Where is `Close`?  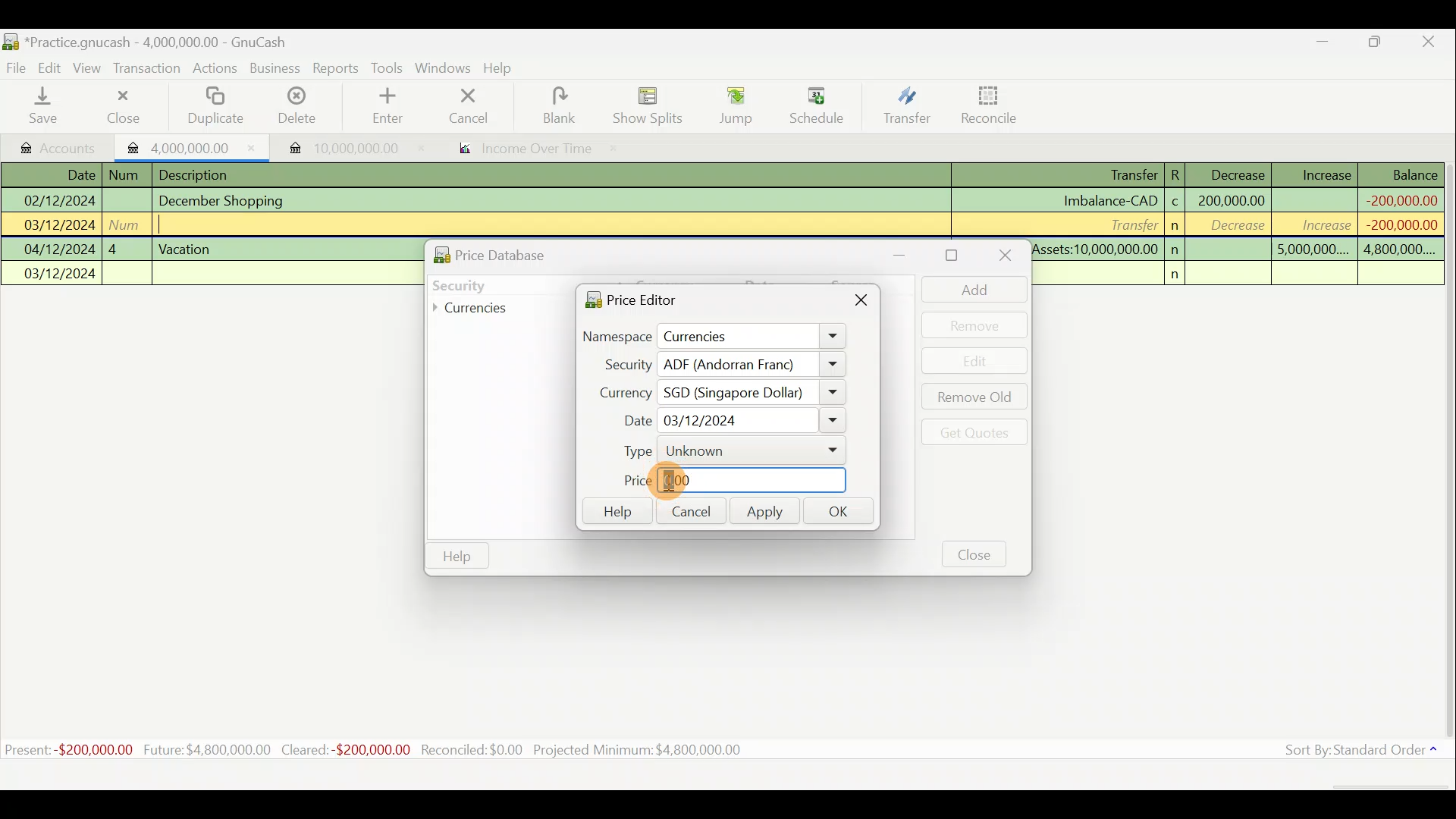
Close is located at coordinates (1433, 42).